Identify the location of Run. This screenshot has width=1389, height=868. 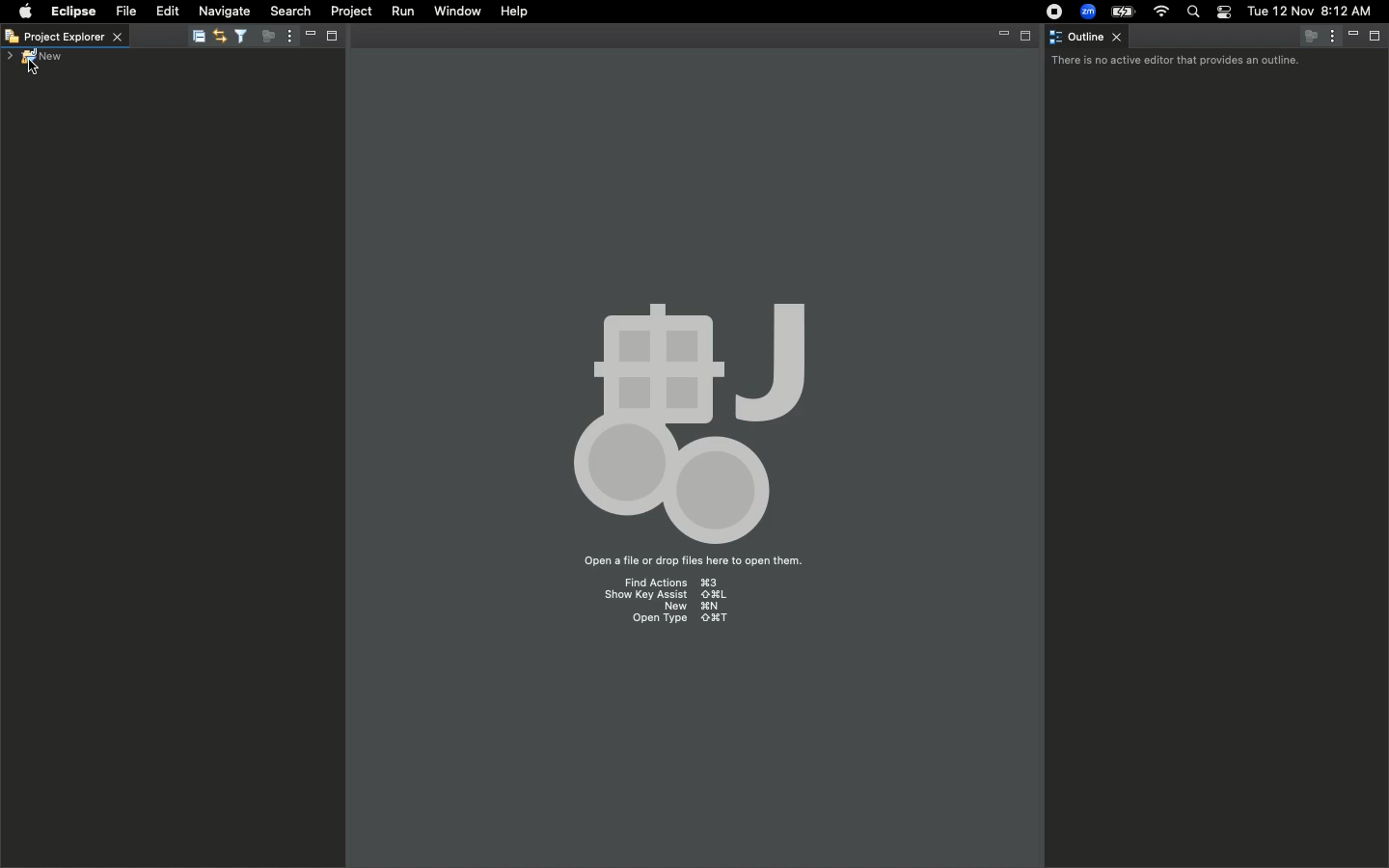
(399, 11).